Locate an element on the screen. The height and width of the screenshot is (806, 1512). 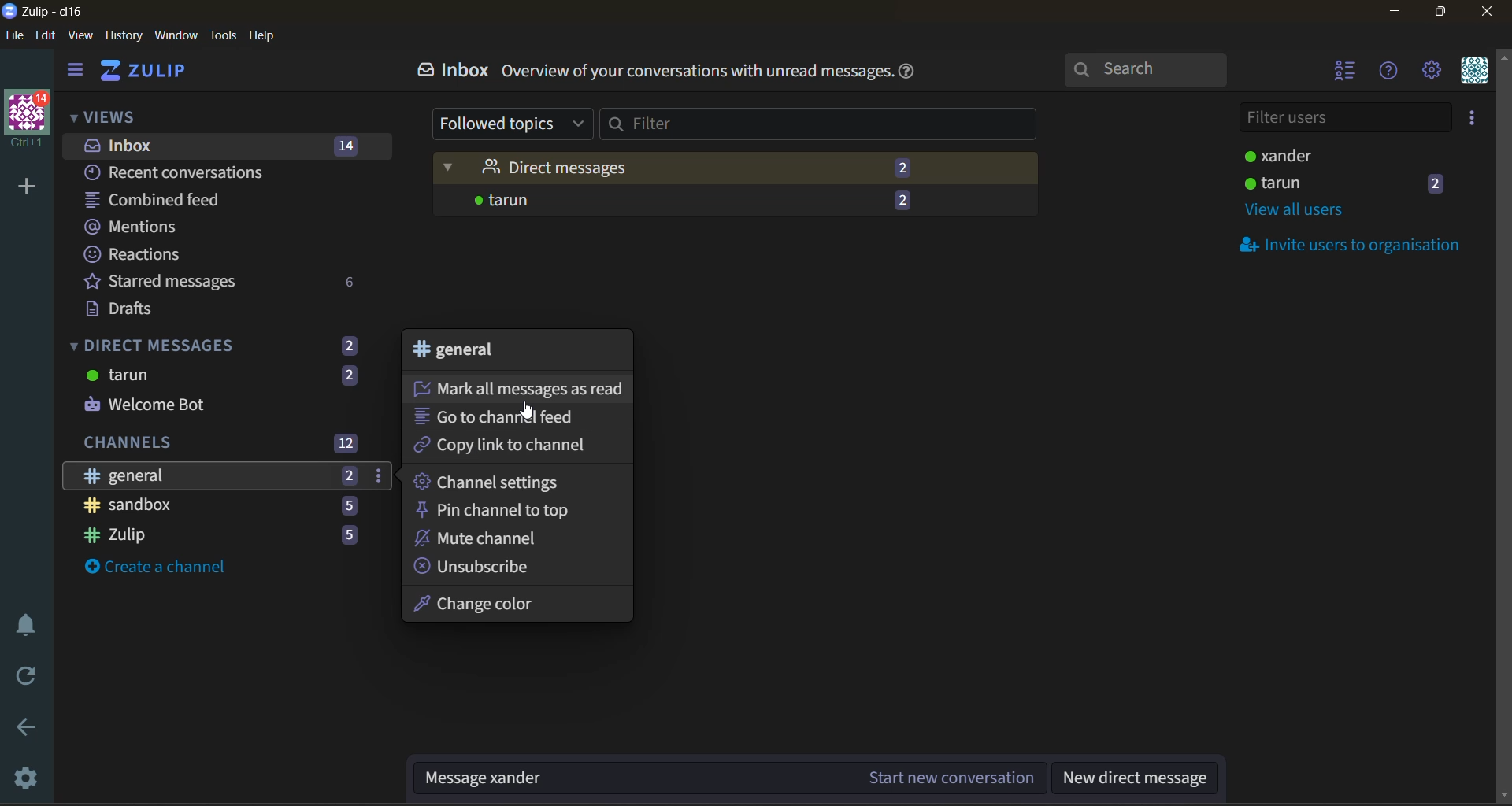
help is located at coordinates (262, 37).